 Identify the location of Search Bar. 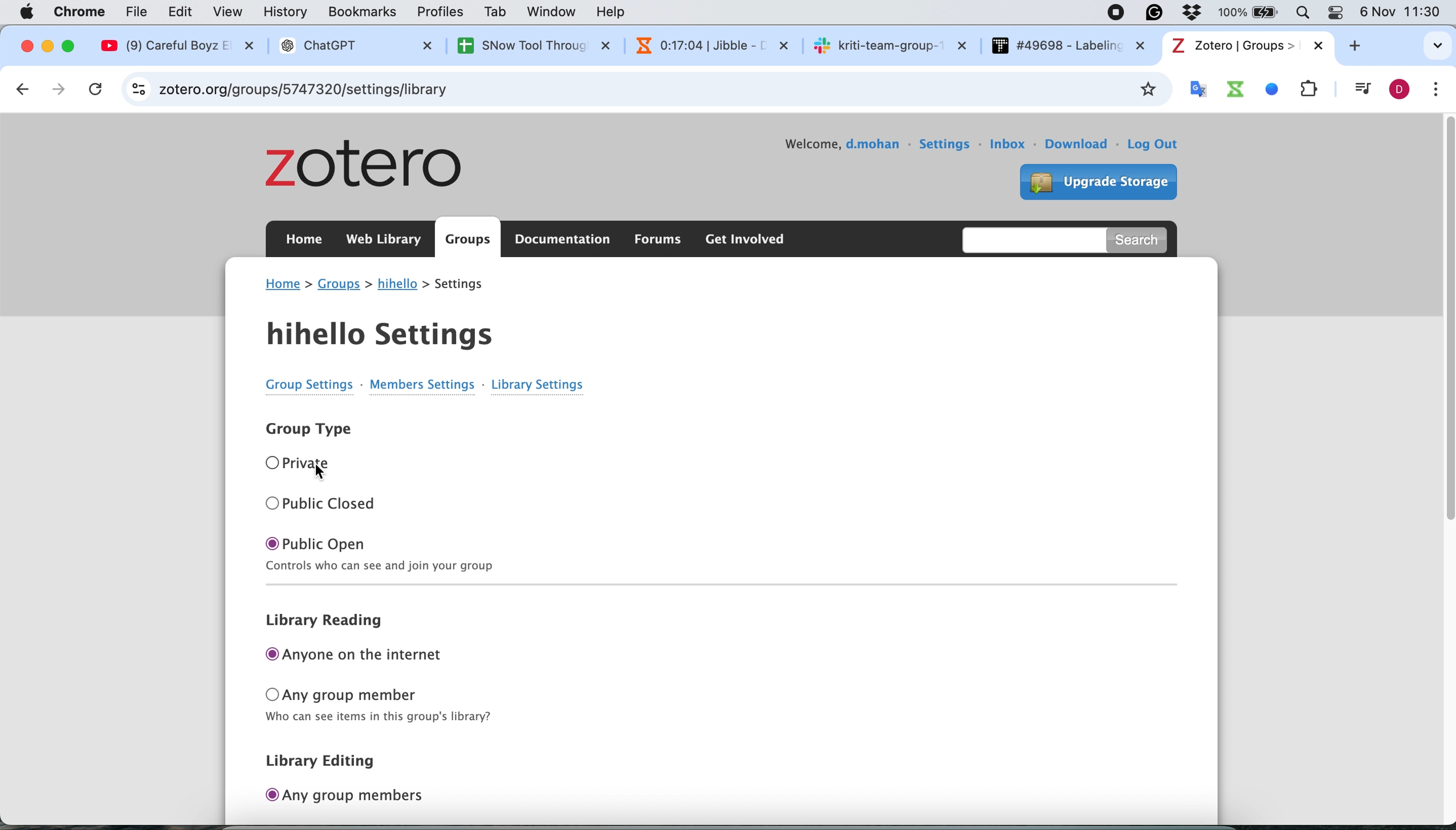
(1300, 11).